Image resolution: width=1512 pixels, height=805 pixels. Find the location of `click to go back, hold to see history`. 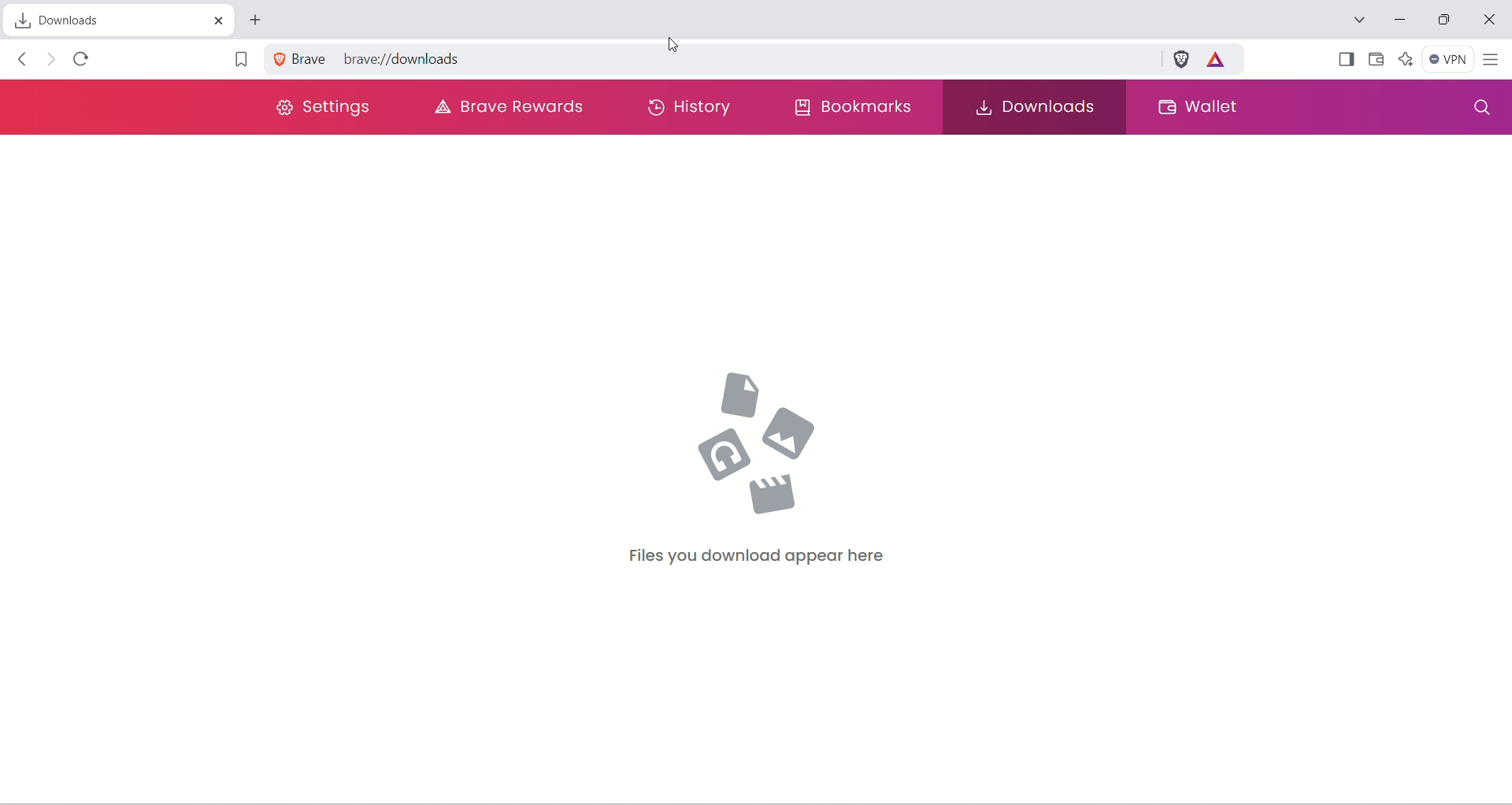

click to go back, hold to see history is located at coordinates (24, 60).